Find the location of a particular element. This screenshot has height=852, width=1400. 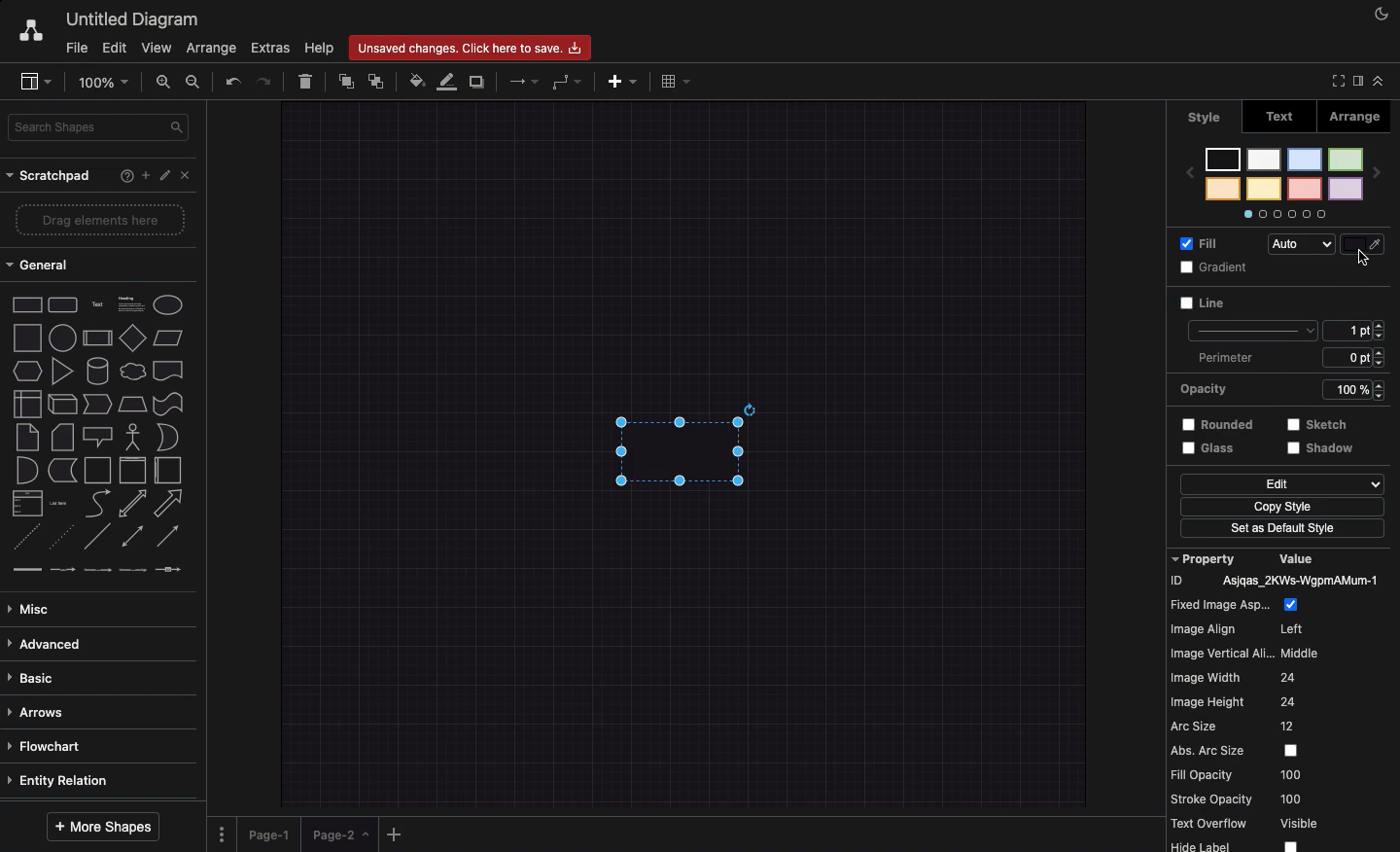

Collapse is located at coordinates (1379, 80).